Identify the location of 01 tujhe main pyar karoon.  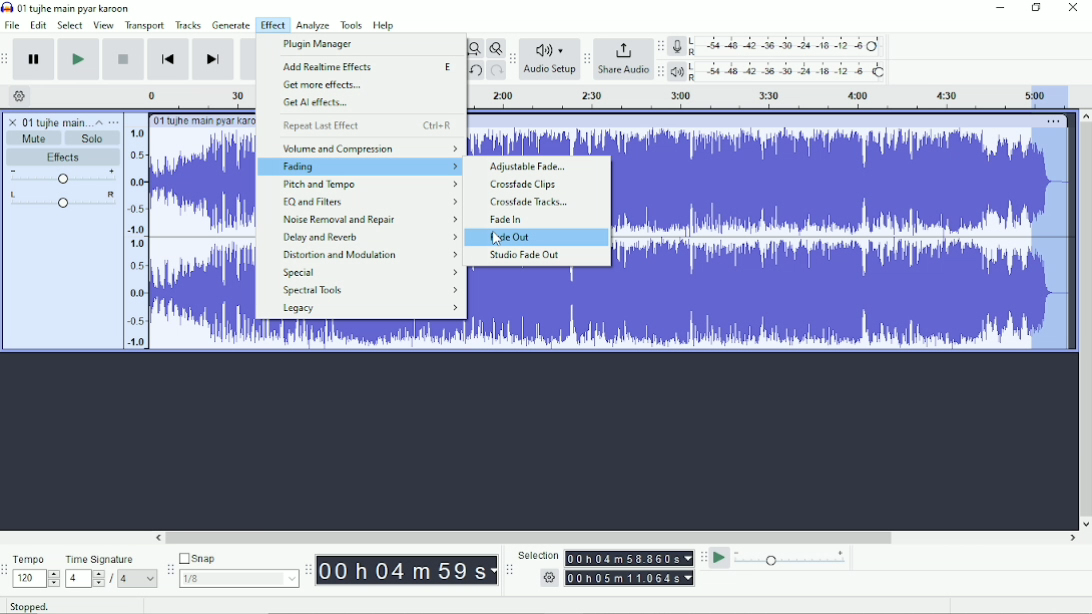
(203, 121).